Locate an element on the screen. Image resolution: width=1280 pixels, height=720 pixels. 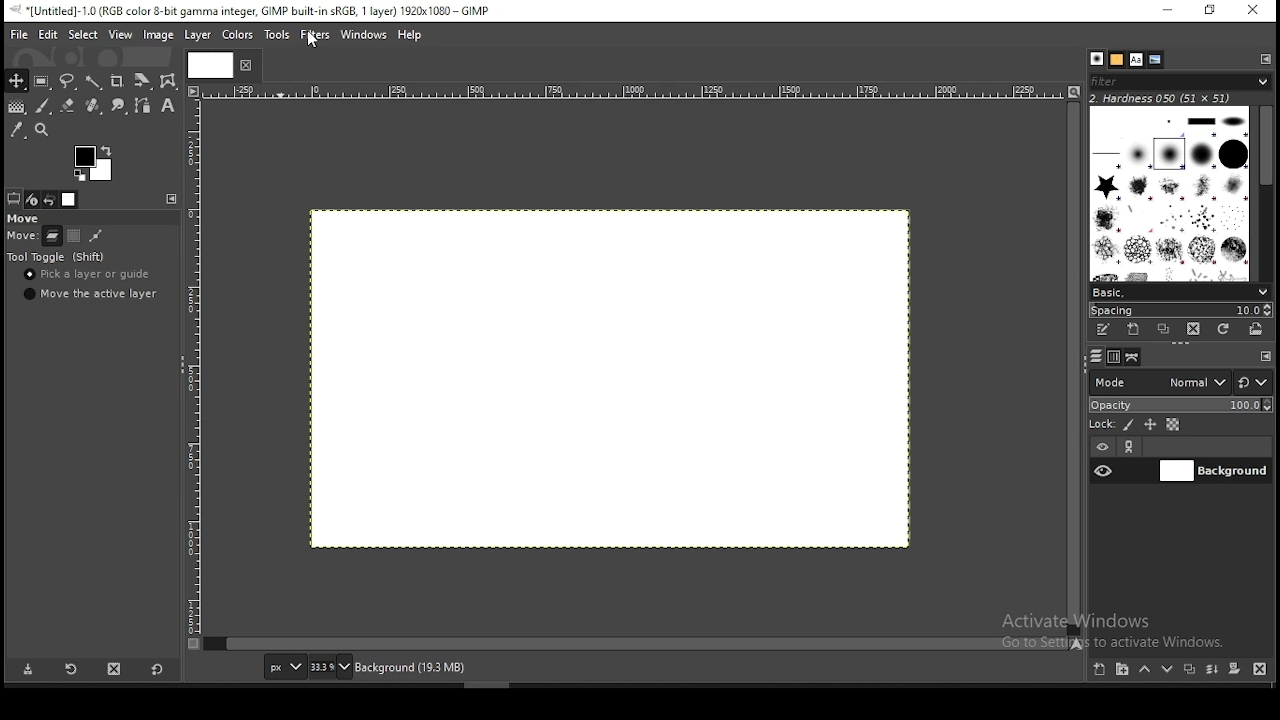
horizontal scroll bar is located at coordinates (1075, 367).